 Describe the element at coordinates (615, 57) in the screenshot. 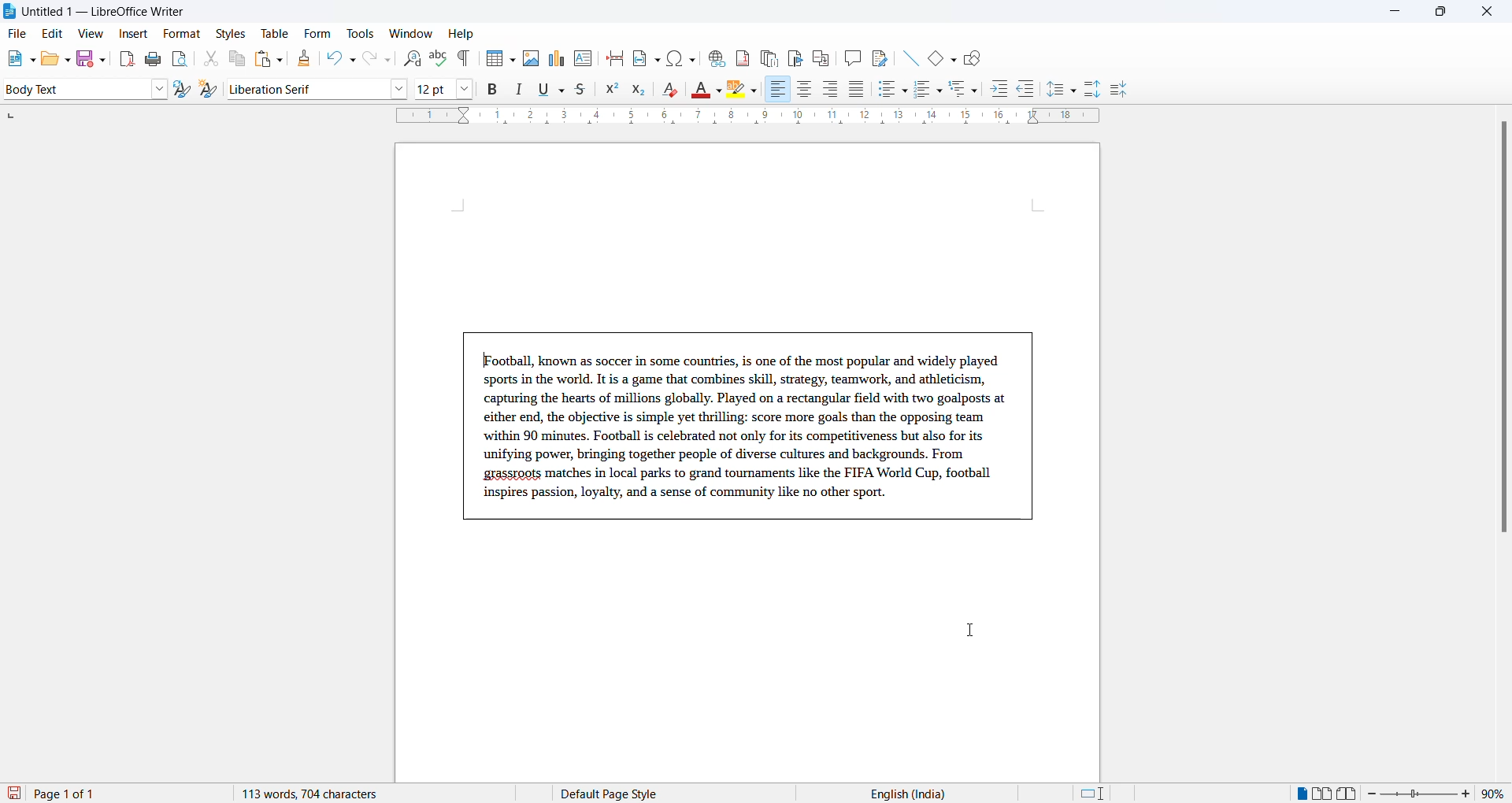

I see `page break` at that location.